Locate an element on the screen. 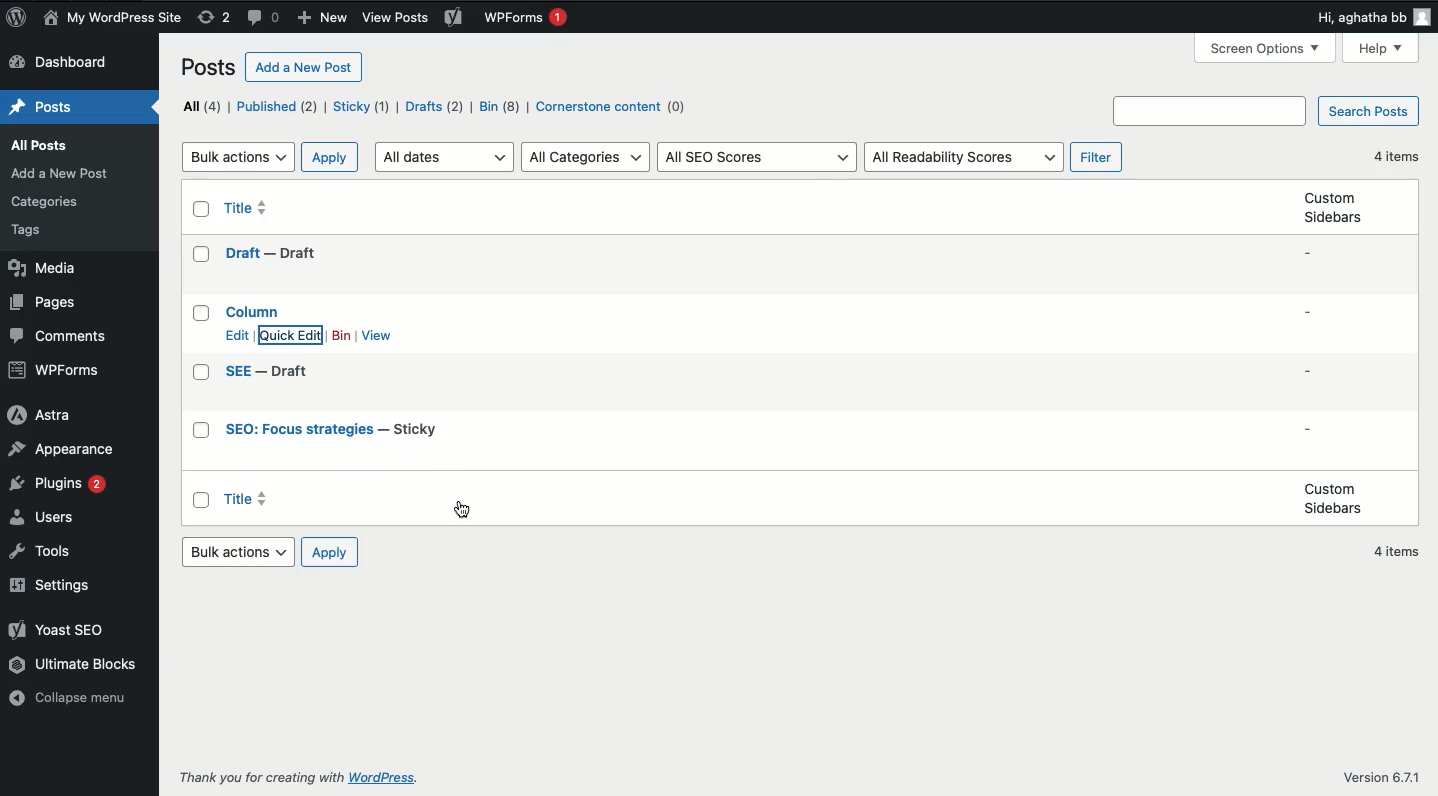 Image resolution: width=1438 pixels, height=796 pixels.  is located at coordinates (394, 19).